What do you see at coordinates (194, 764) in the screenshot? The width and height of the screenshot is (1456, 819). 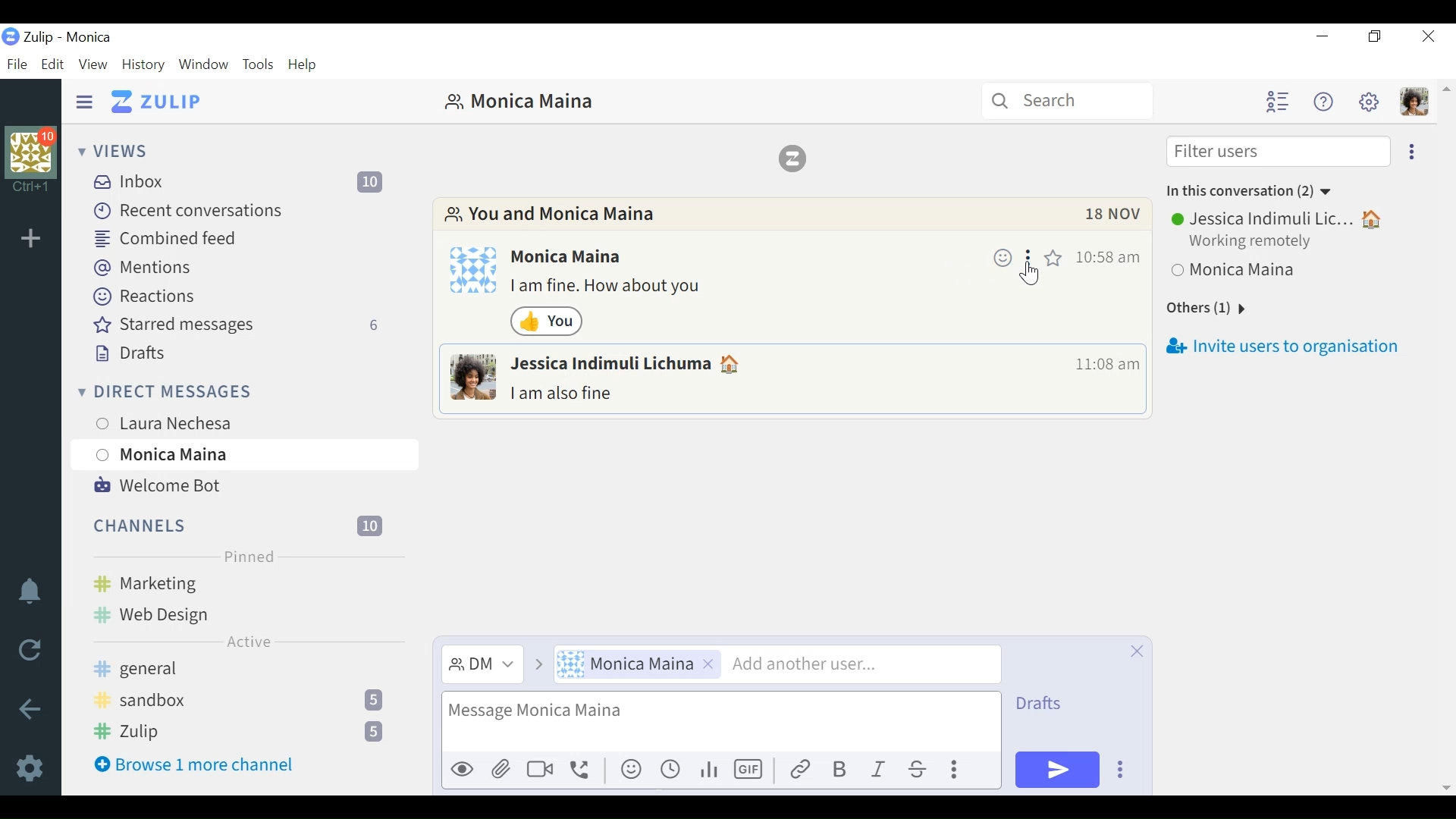 I see `Browse 1 more channel` at bounding box center [194, 764].